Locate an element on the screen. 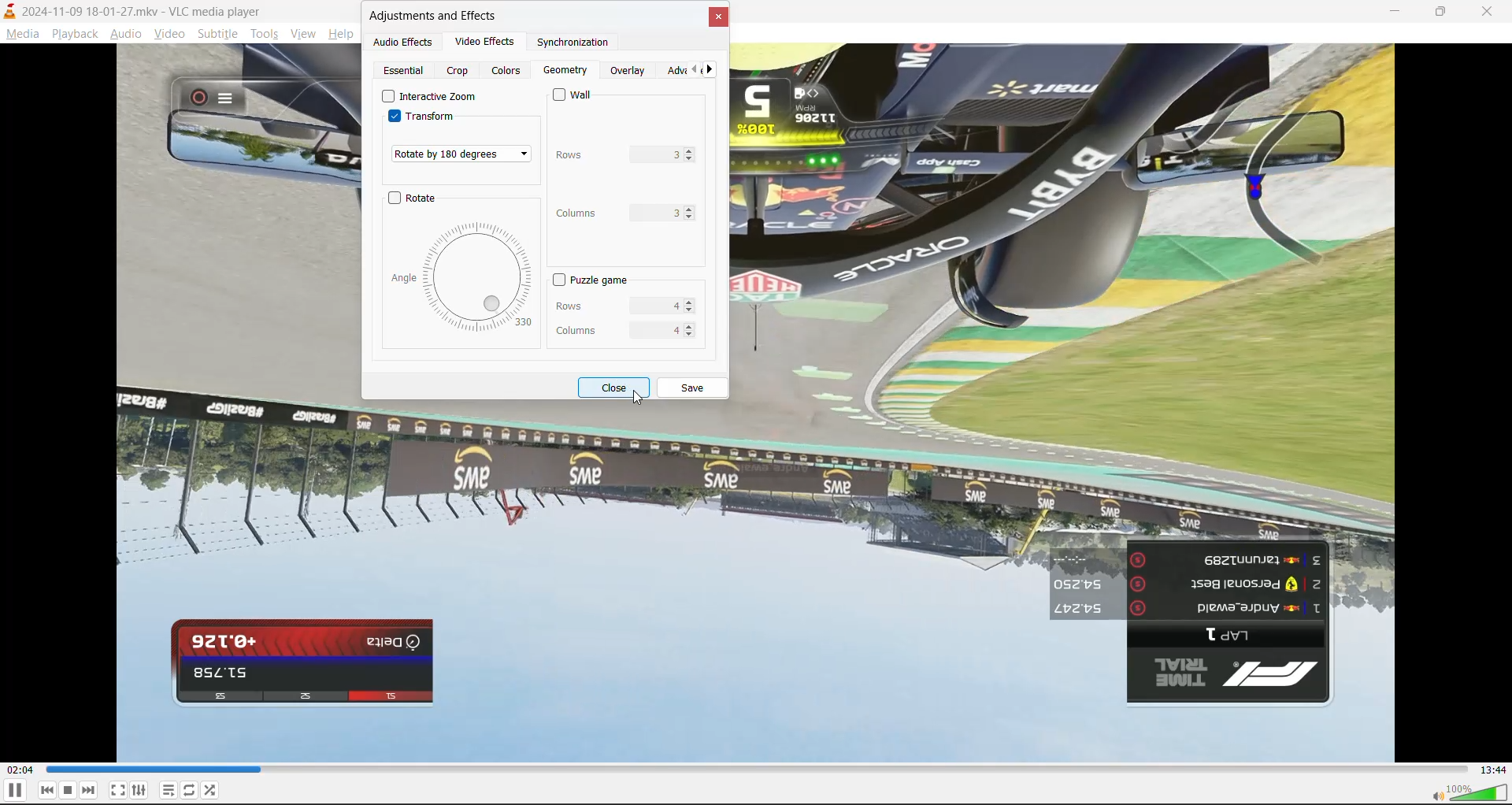 The height and width of the screenshot is (805, 1512). subtitle is located at coordinates (217, 35).